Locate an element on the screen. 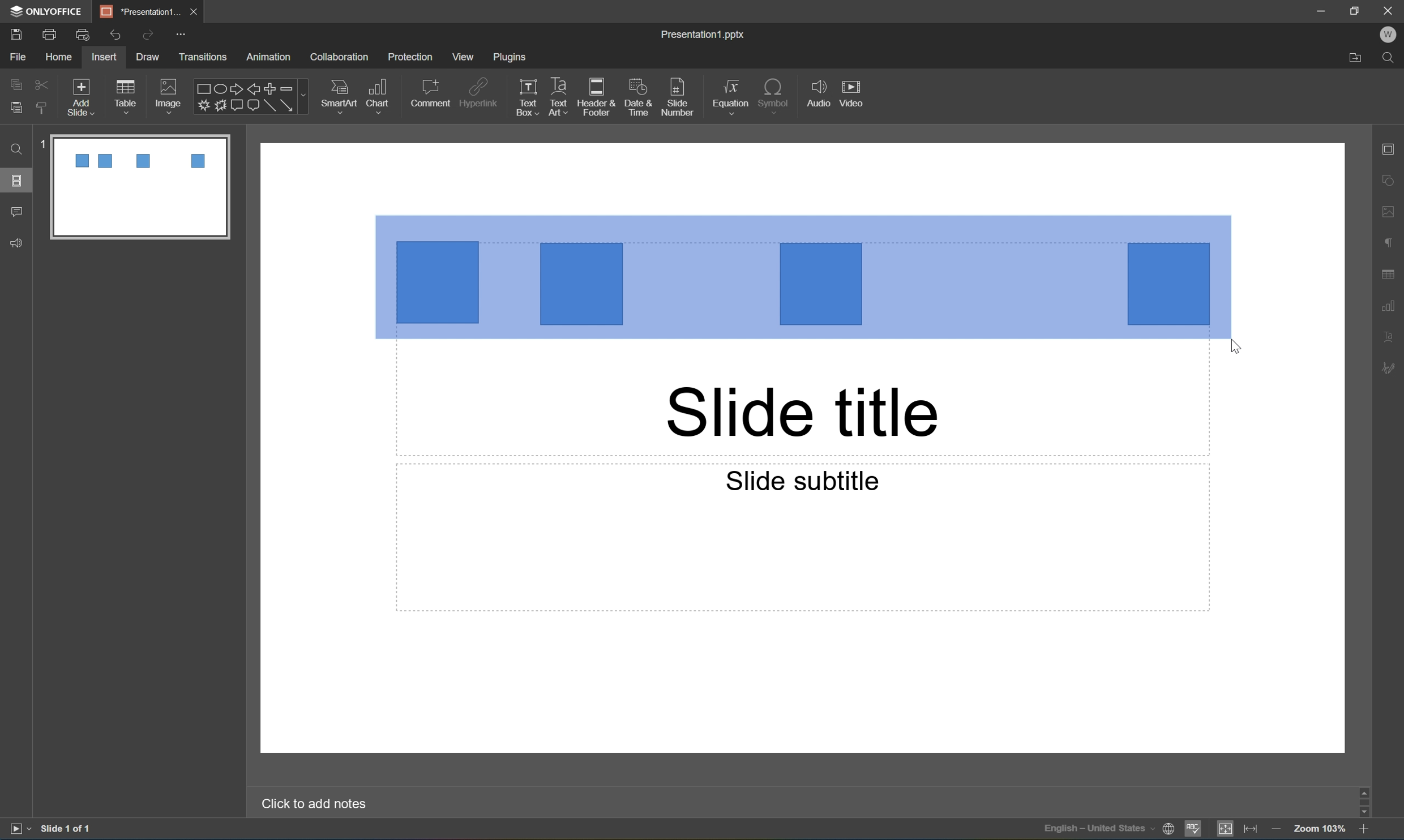 This screenshot has height=840, width=1404. chart is located at coordinates (381, 93).